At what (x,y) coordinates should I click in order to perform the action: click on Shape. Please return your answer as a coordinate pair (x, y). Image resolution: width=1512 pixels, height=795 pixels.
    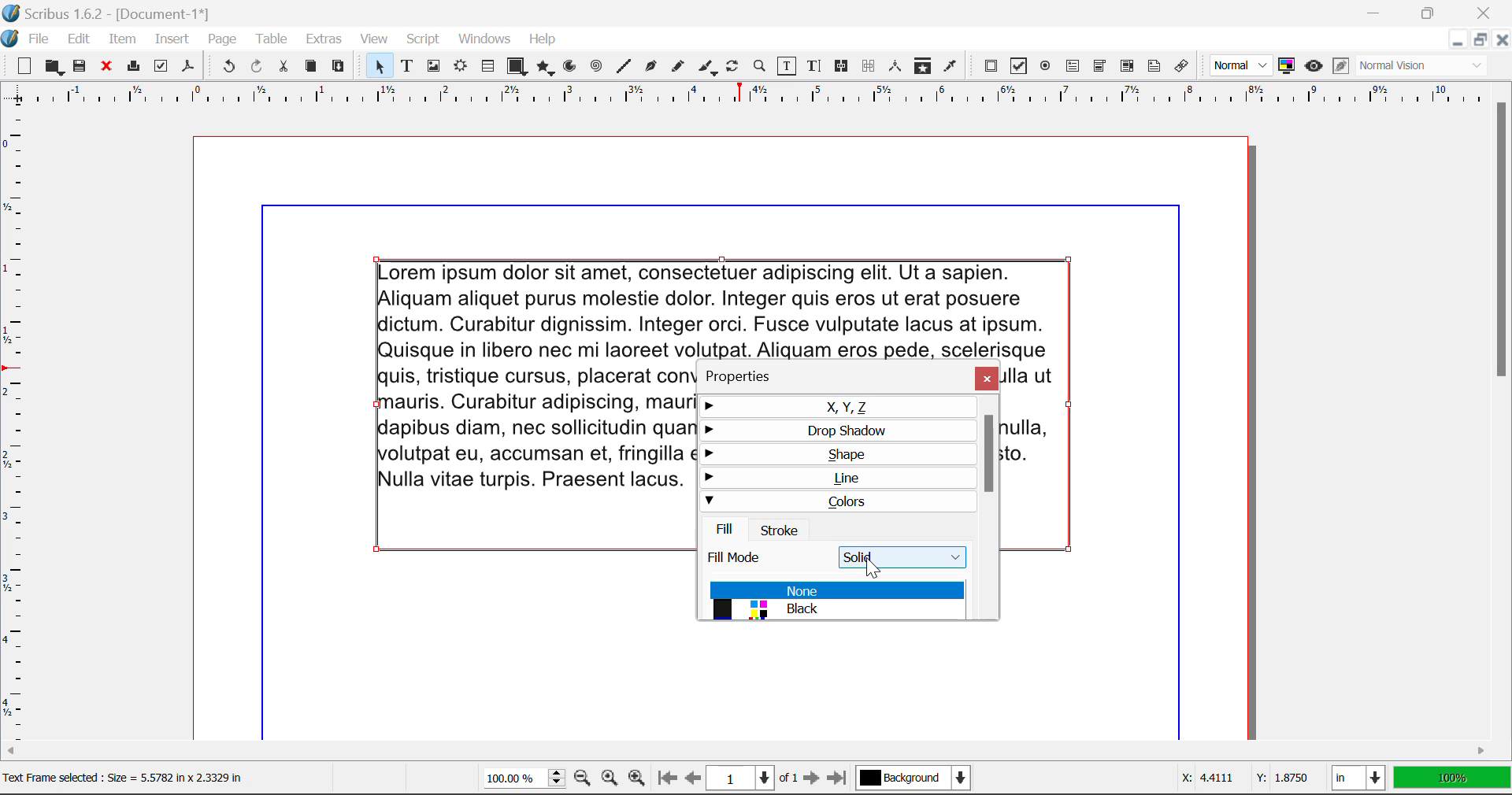
    Looking at the image, I should click on (836, 453).